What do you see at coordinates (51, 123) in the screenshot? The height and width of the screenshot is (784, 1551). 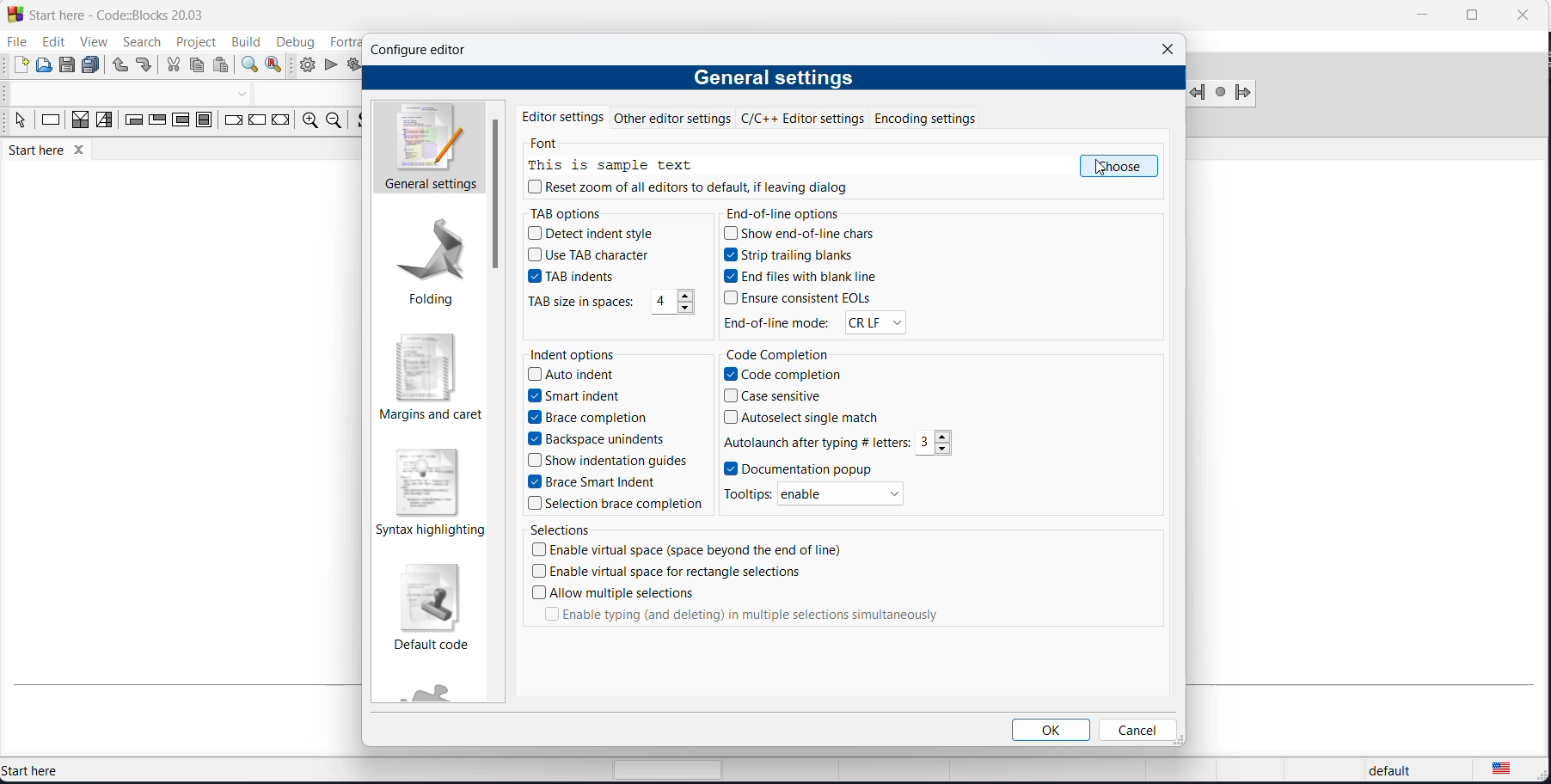 I see `instruction` at bounding box center [51, 123].